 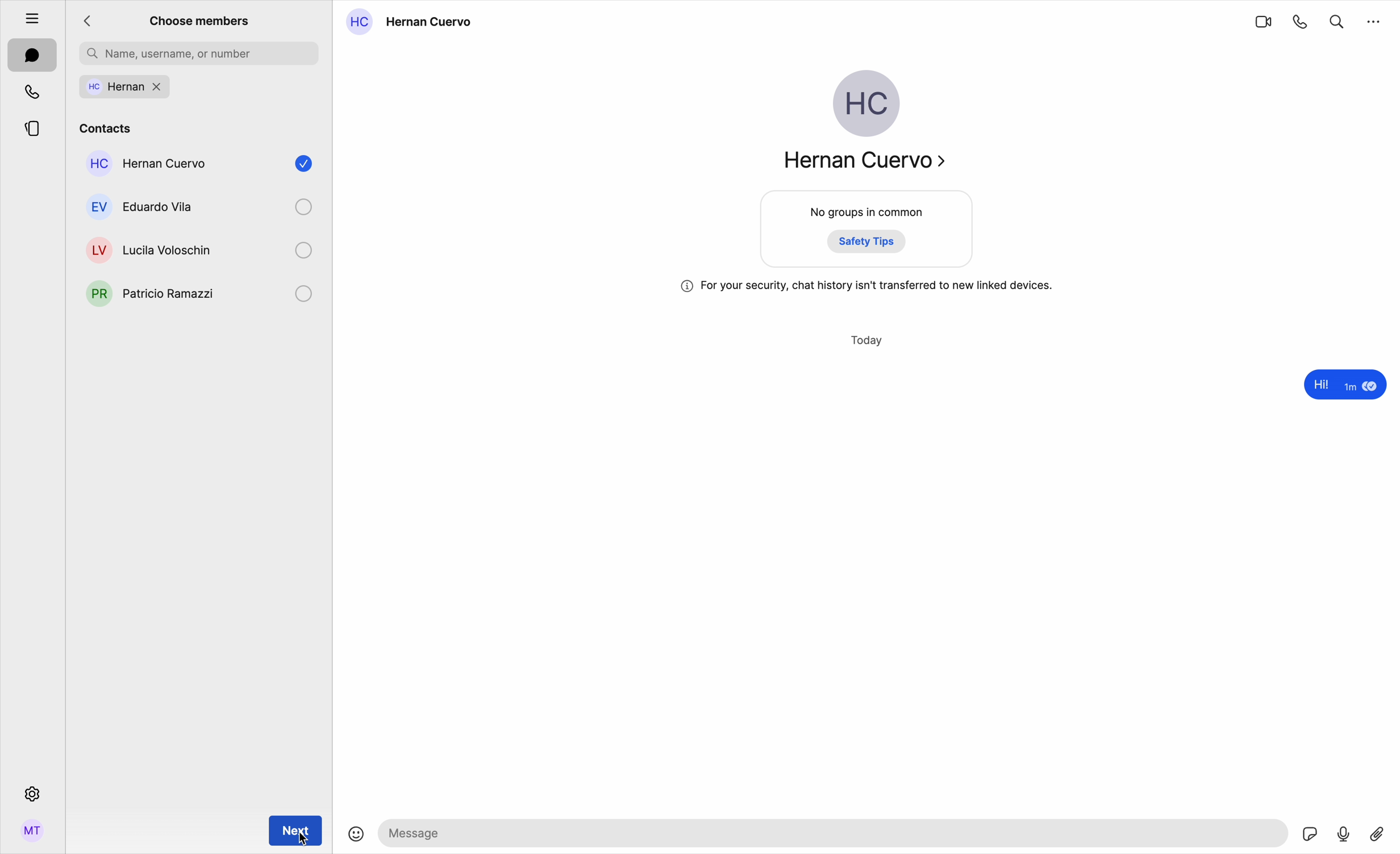 I want to click on selection bullet points, so click(x=302, y=251).